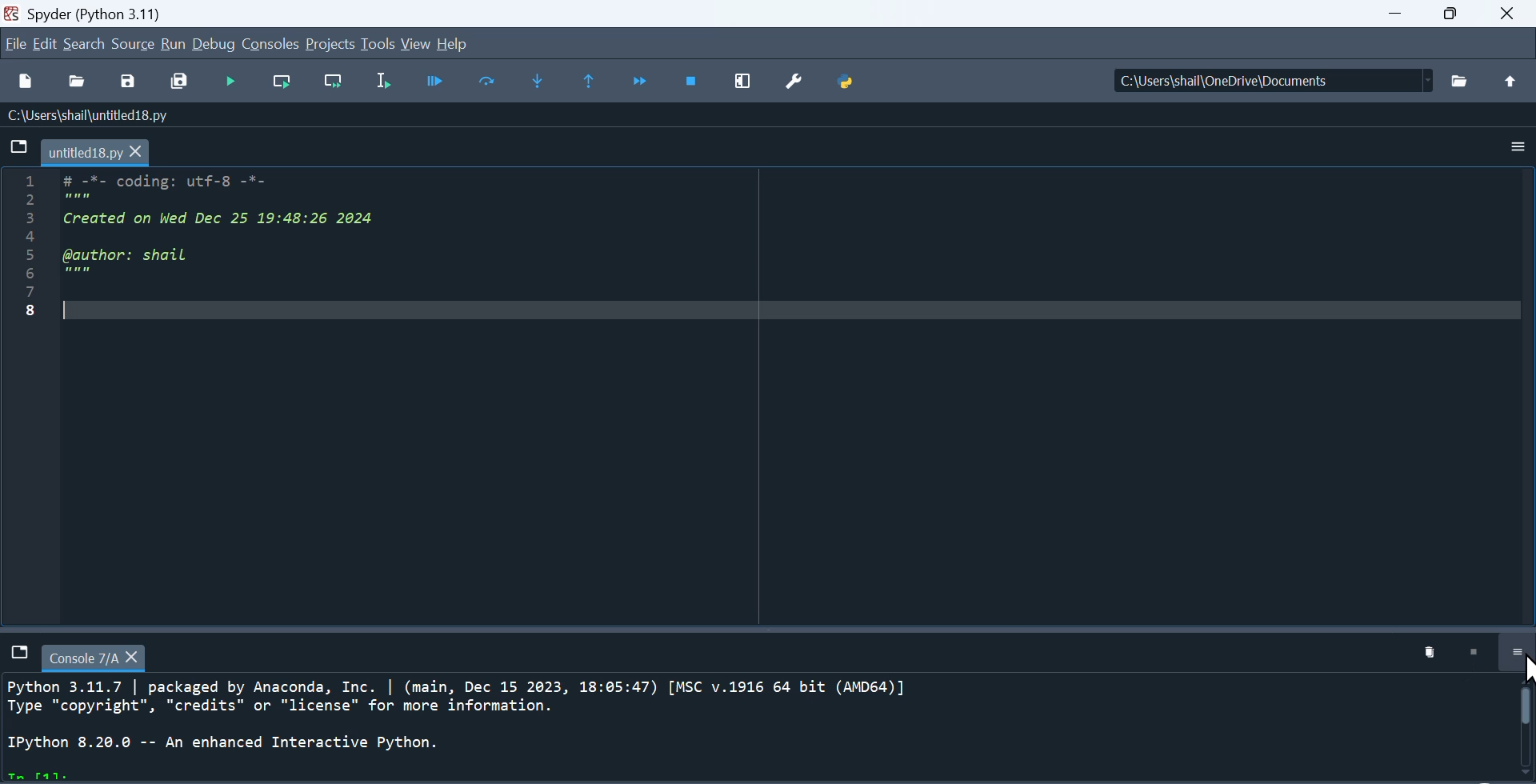 This screenshot has width=1536, height=784. I want to click on execute until, so click(590, 81).